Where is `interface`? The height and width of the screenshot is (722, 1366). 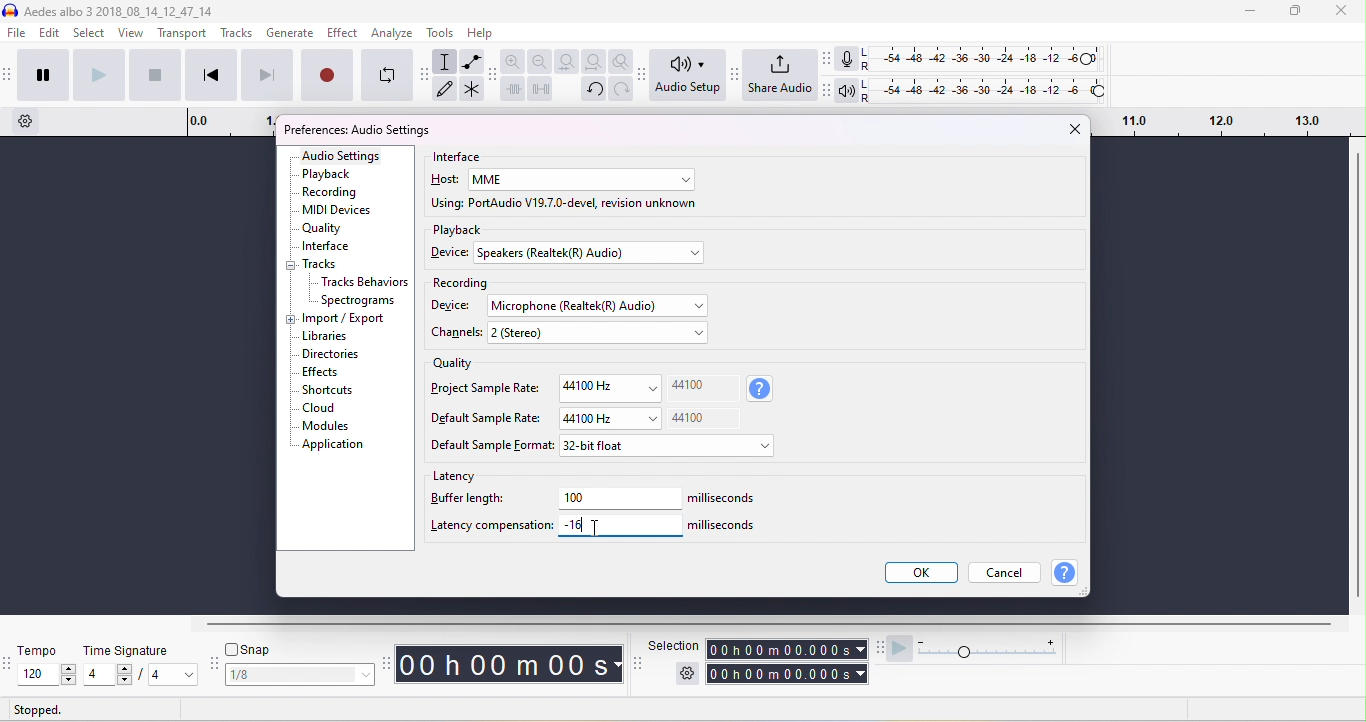 interface is located at coordinates (325, 247).